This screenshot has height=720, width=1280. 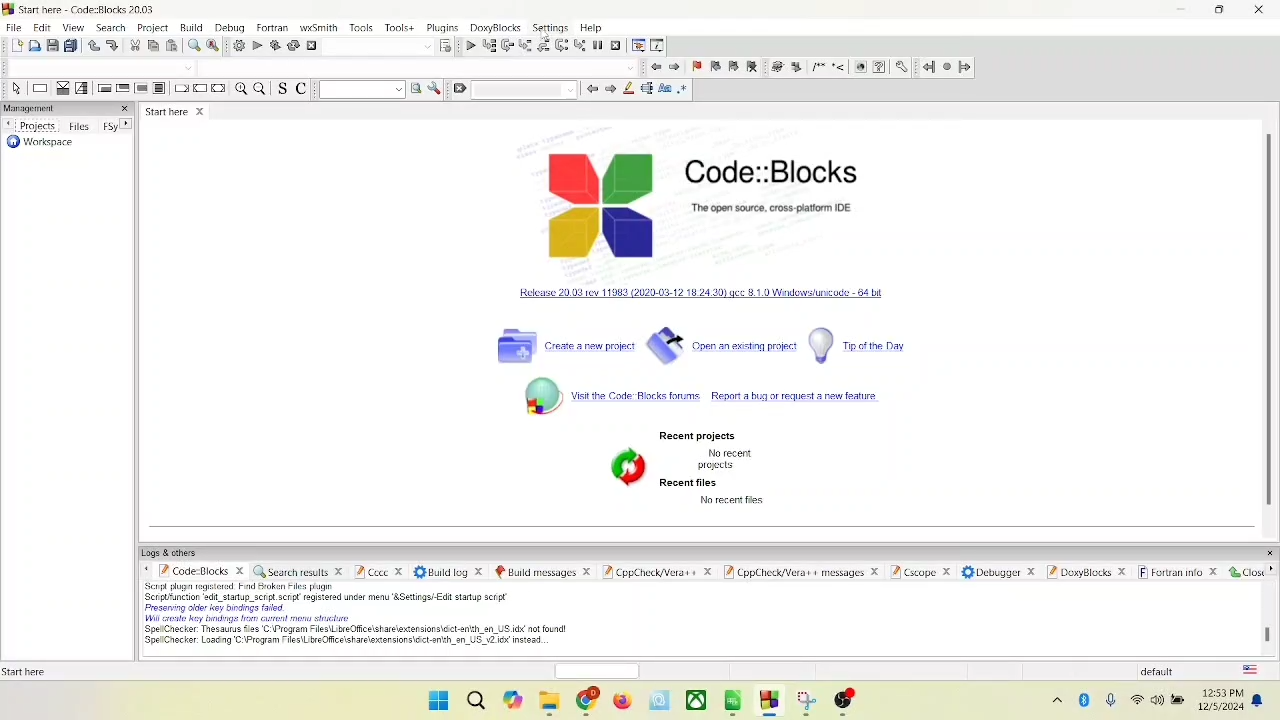 I want to click on block instruction, so click(x=161, y=87).